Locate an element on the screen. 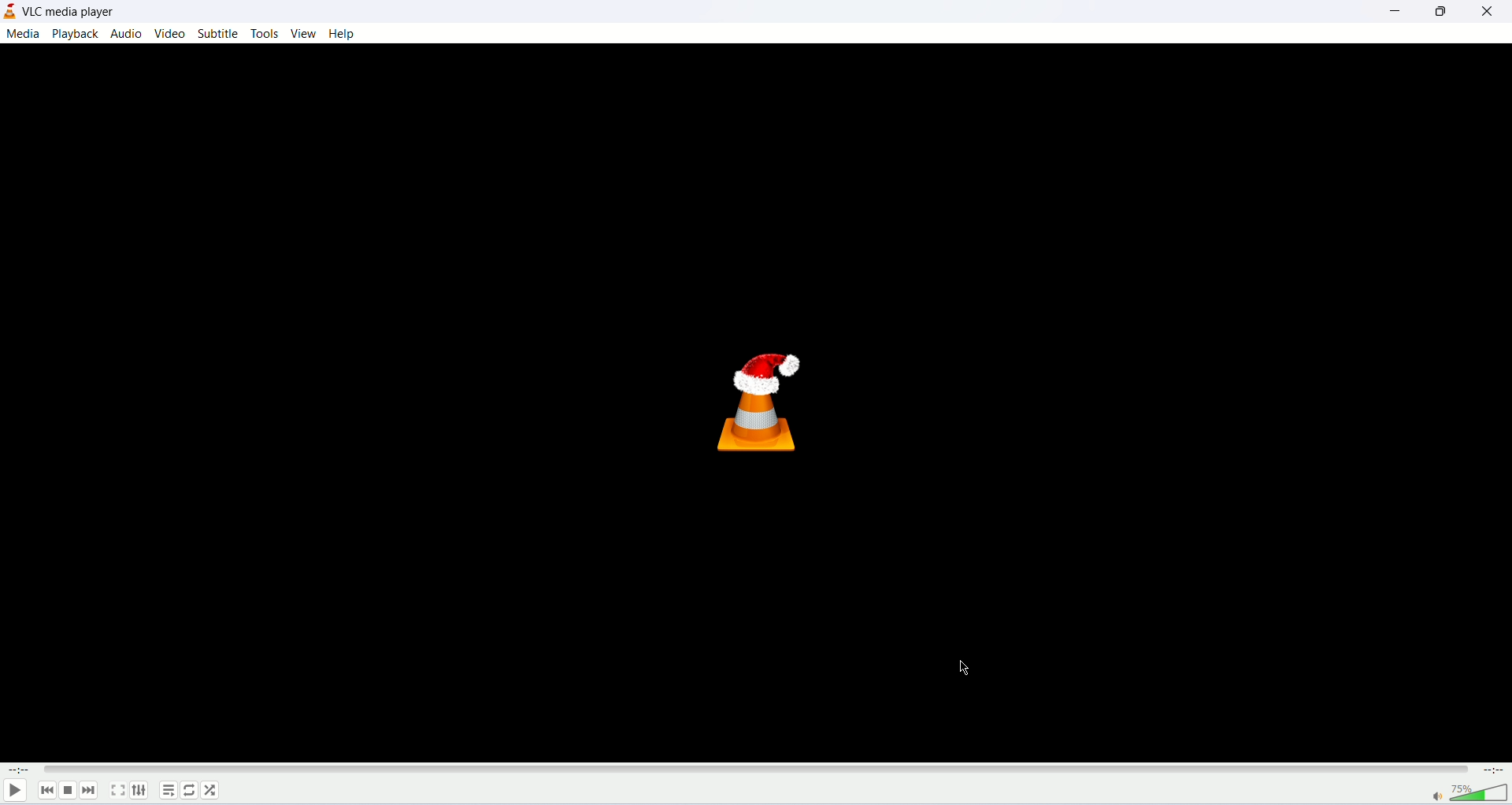 The width and height of the screenshot is (1512, 805). maximize is located at coordinates (1439, 15).